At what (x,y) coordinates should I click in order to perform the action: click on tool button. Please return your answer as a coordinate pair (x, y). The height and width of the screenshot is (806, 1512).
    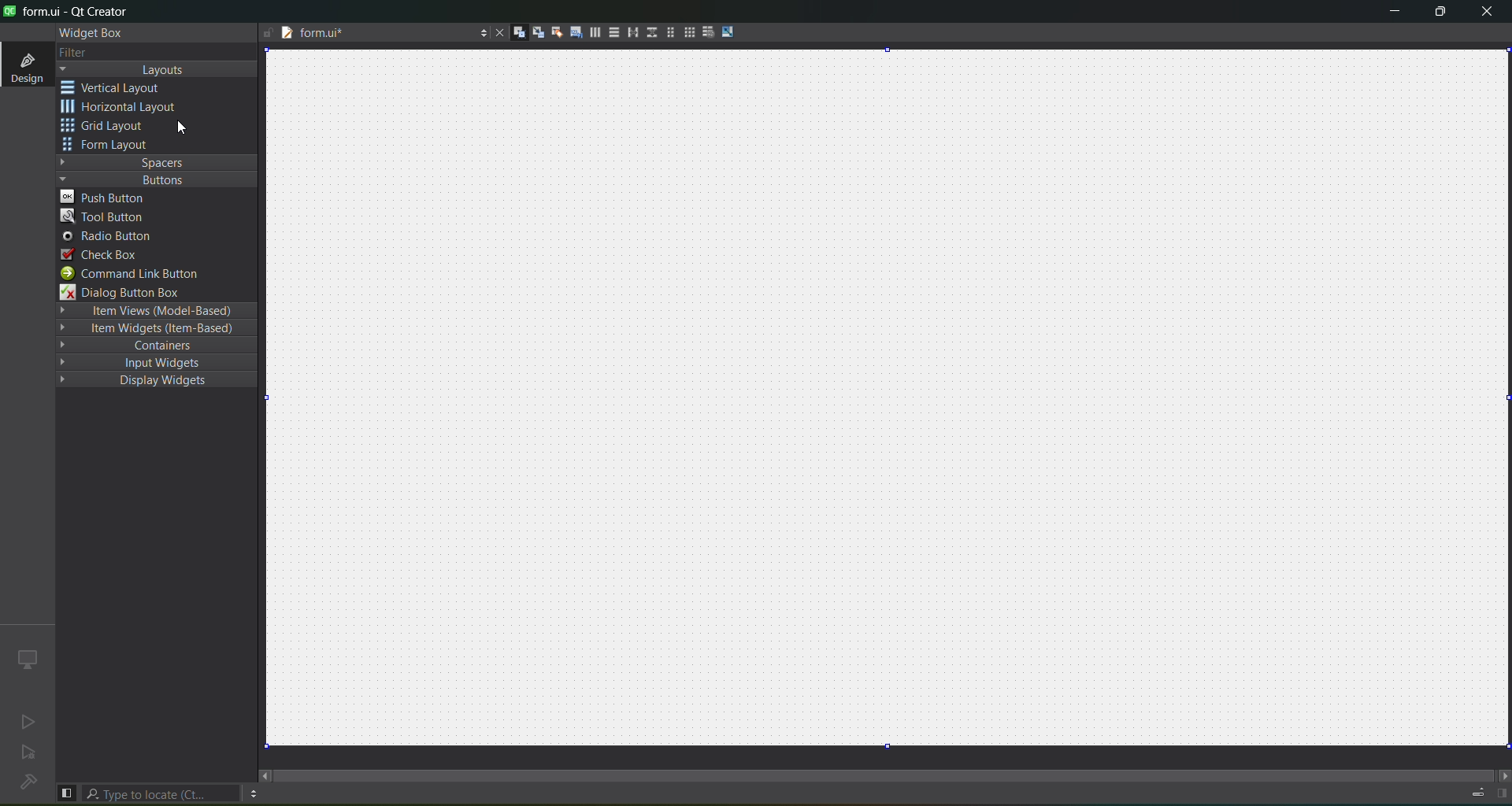
    Looking at the image, I should click on (103, 216).